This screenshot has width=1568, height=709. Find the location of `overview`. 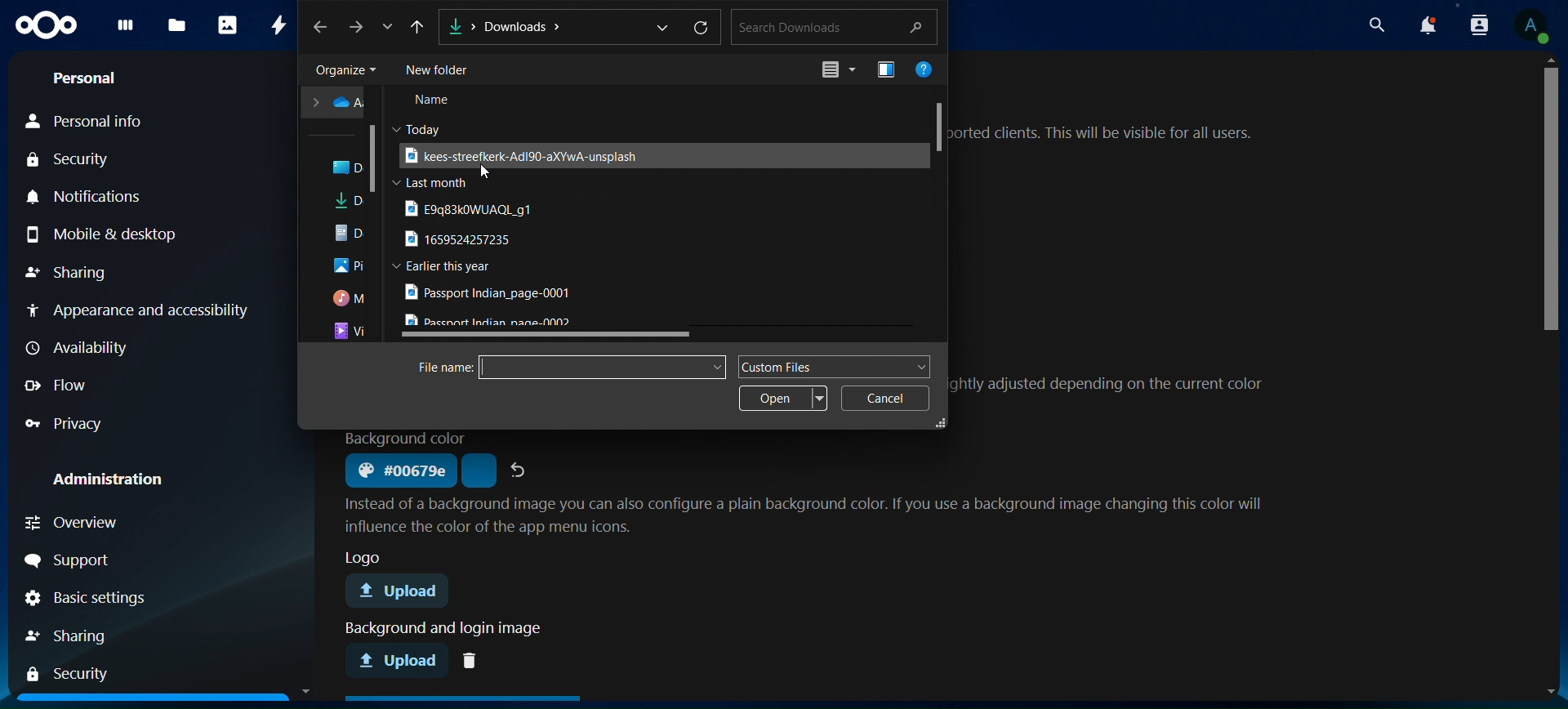

overview is located at coordinates (87, 521).